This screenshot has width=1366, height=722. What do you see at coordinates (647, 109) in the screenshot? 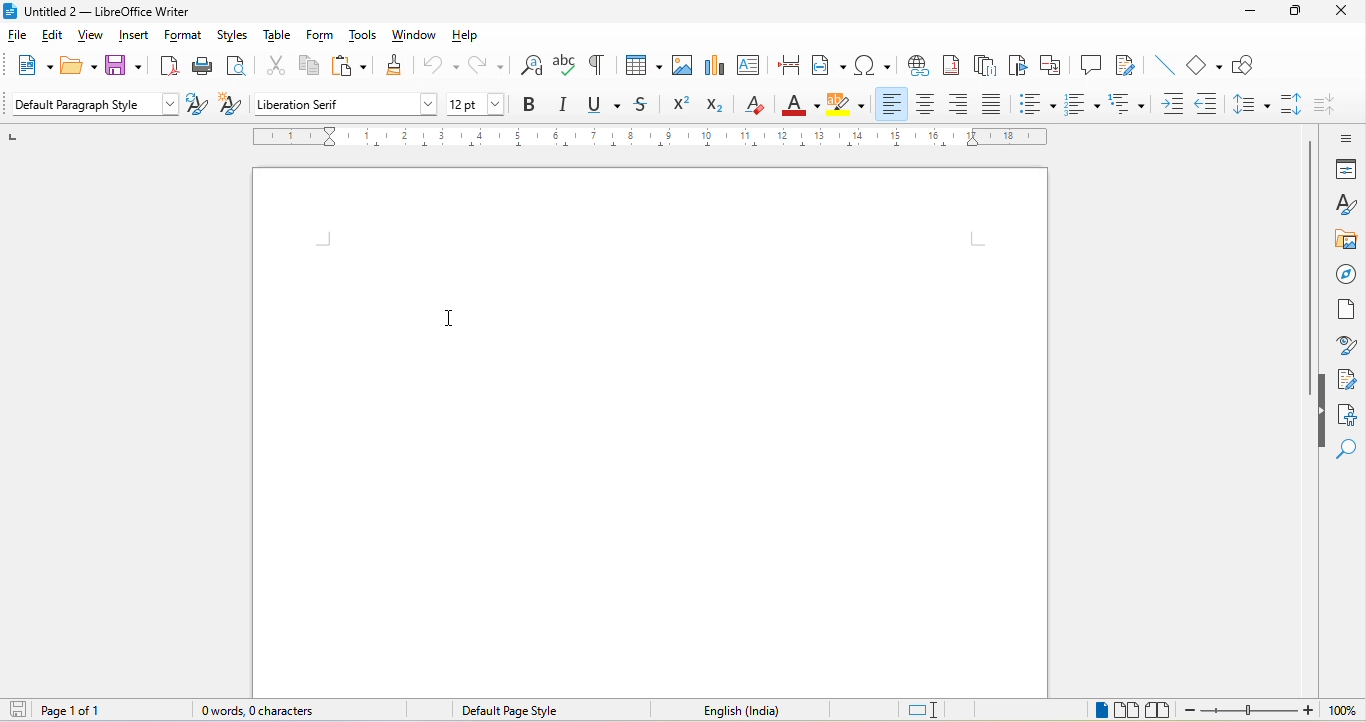
I see `strikethrough` at bounding box center [647, 109].